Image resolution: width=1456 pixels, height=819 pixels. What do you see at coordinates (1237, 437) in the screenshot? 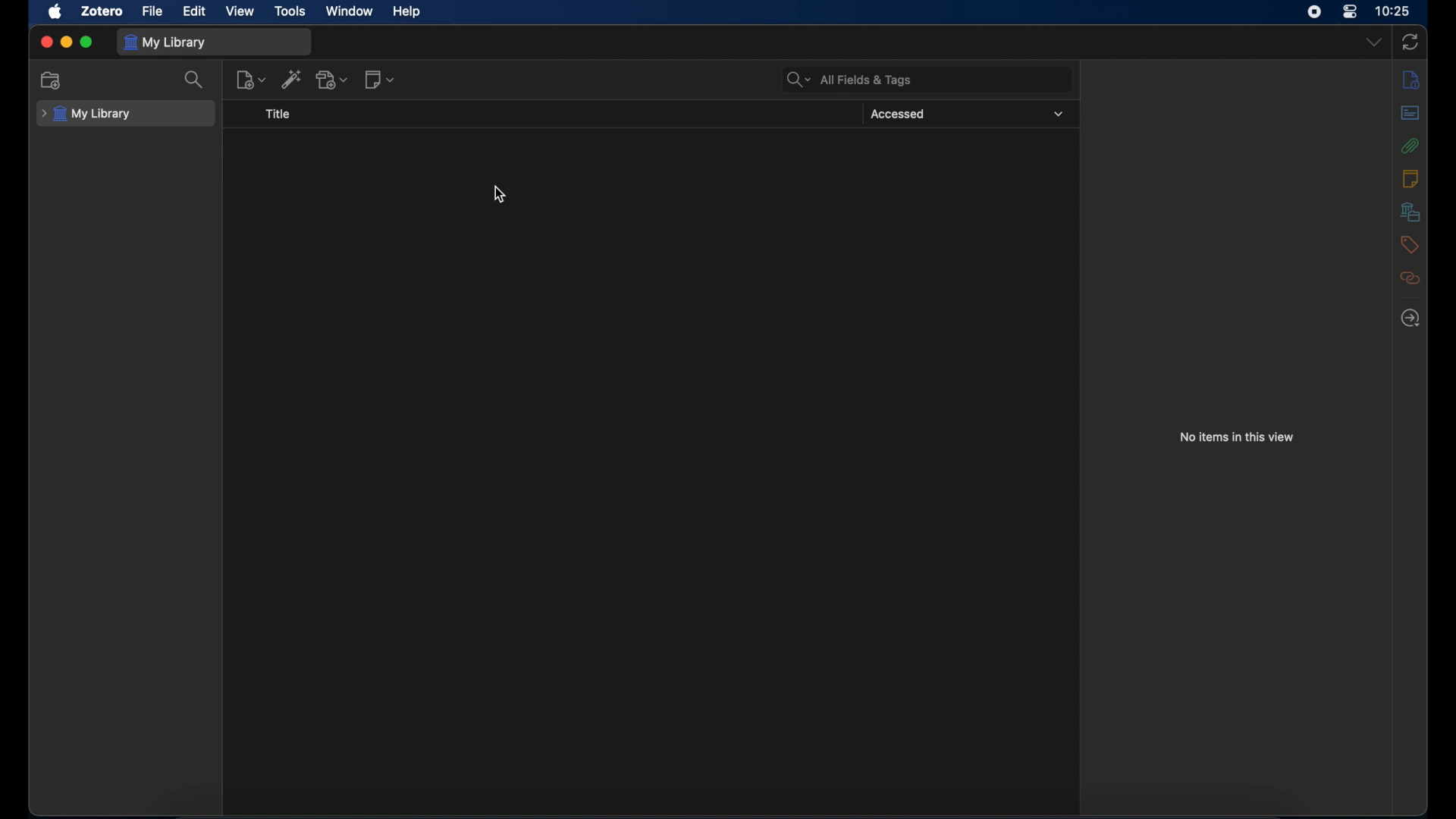
I see `no items in this view` at bounding box center [1237, 437].